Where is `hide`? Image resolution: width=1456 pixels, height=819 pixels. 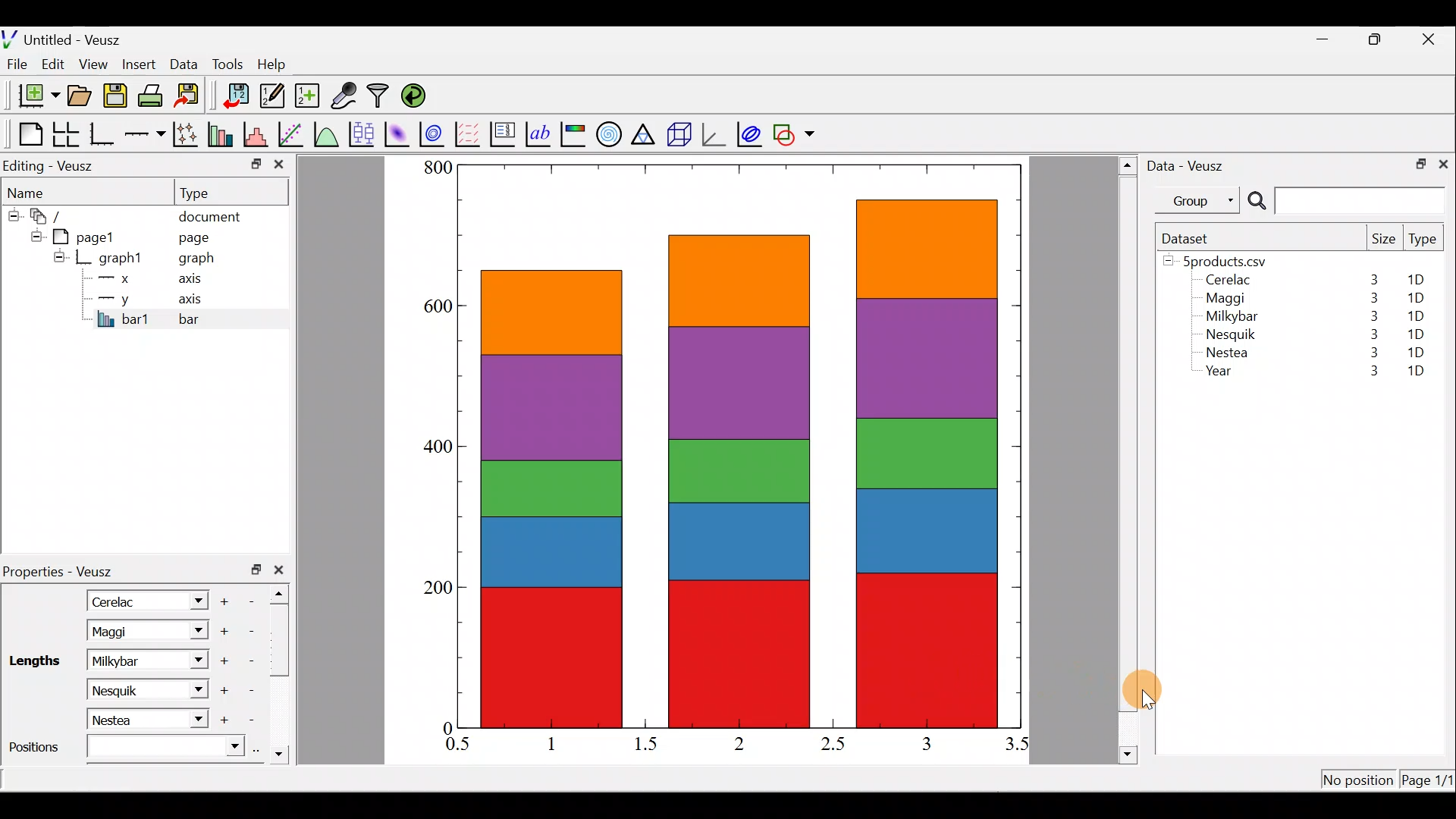 hide is located at coordinates (33, 234).